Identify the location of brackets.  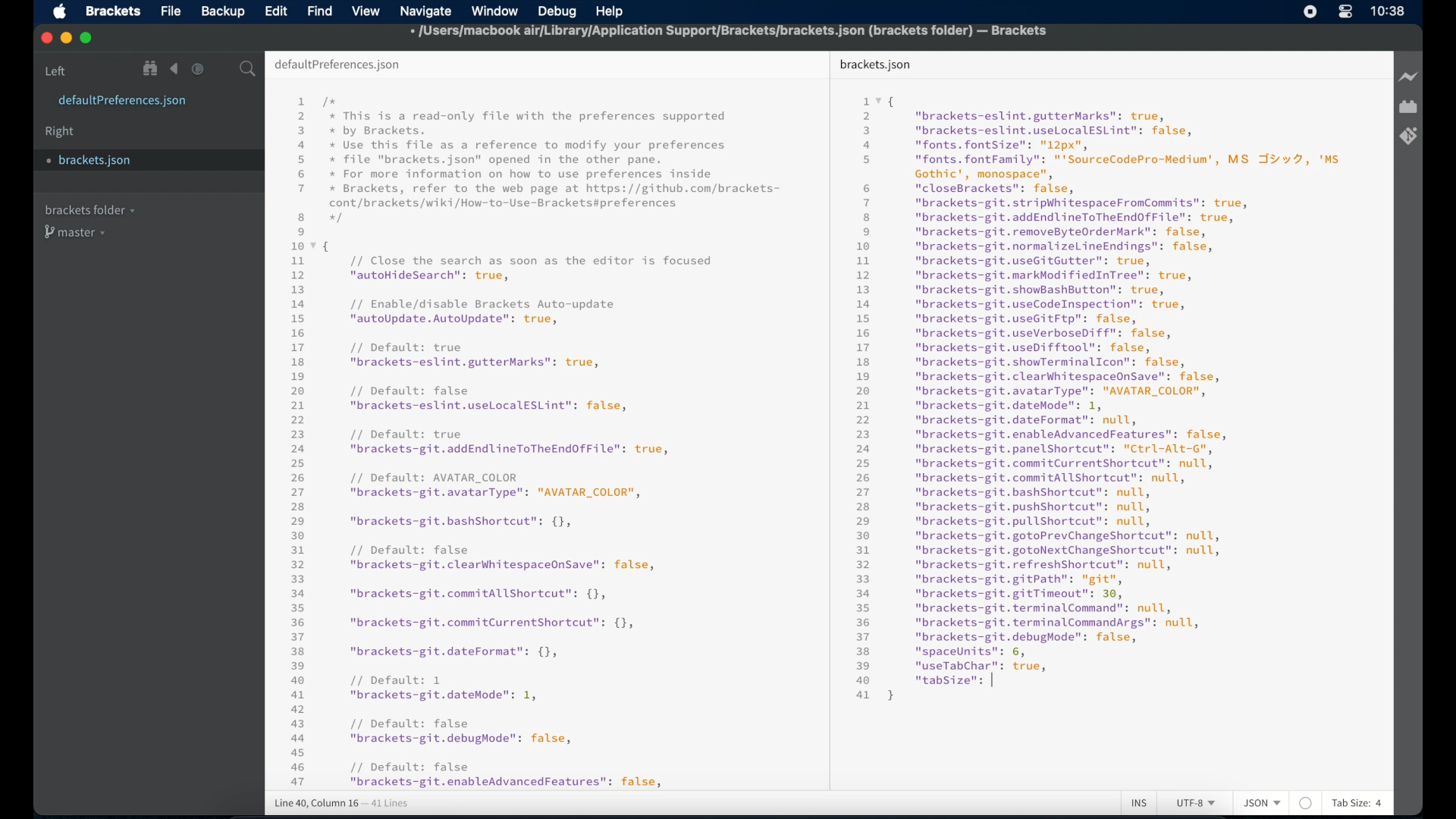
(114, 11).